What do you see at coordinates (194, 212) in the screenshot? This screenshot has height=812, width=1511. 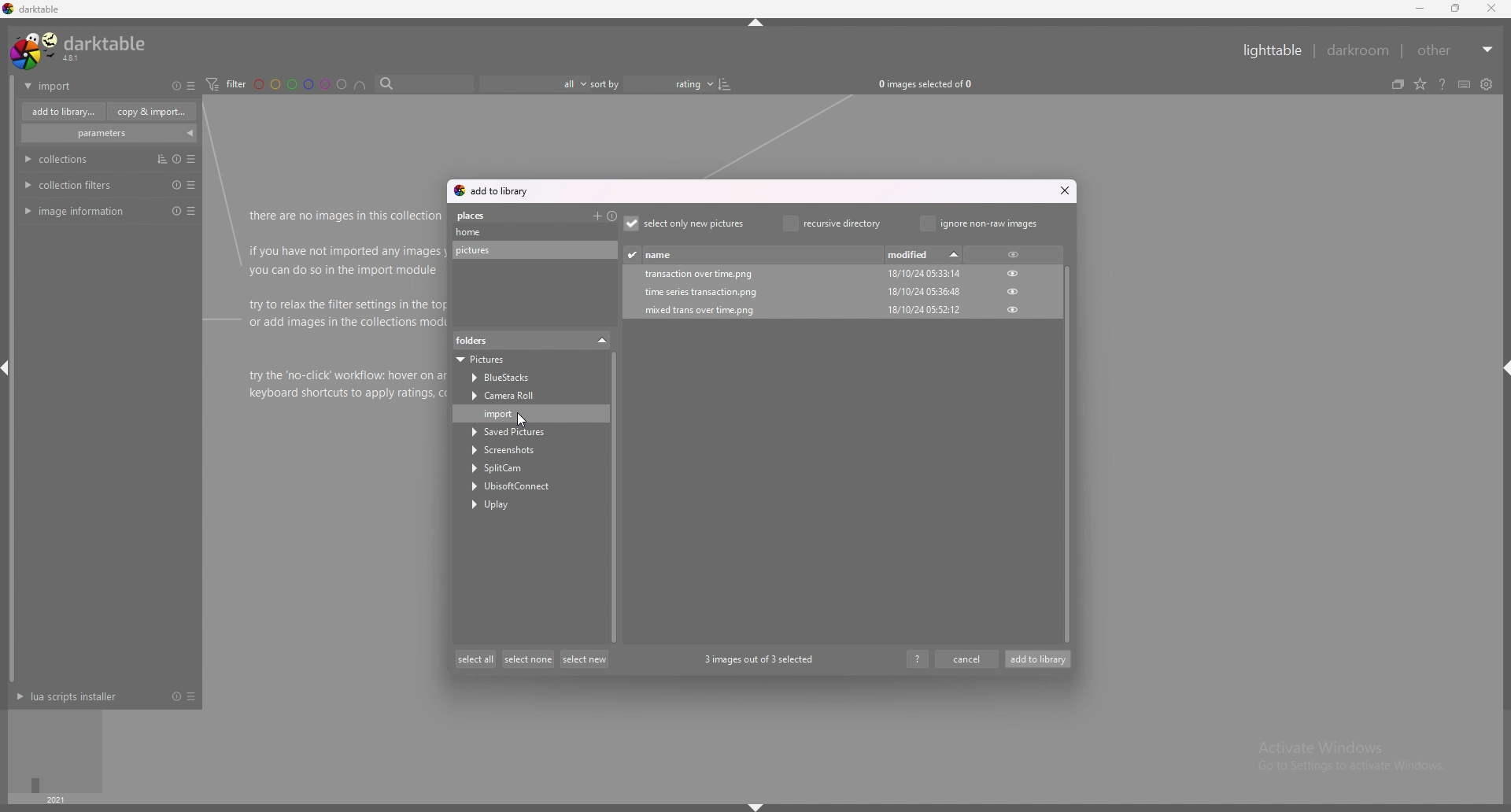 I see `presets` at bounding box center [194, 212].